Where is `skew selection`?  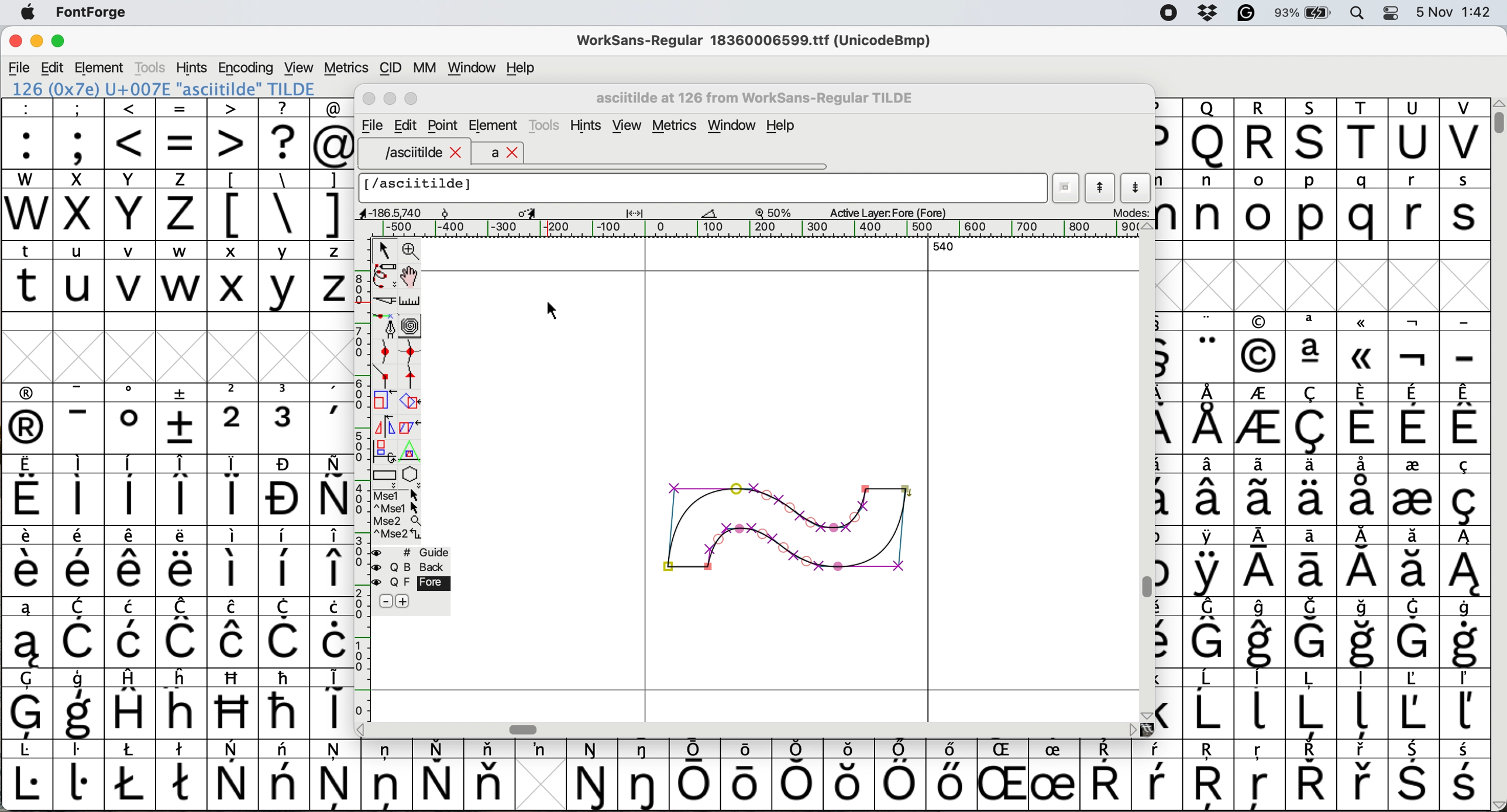 skew selection is located at coordinates (413, 429).